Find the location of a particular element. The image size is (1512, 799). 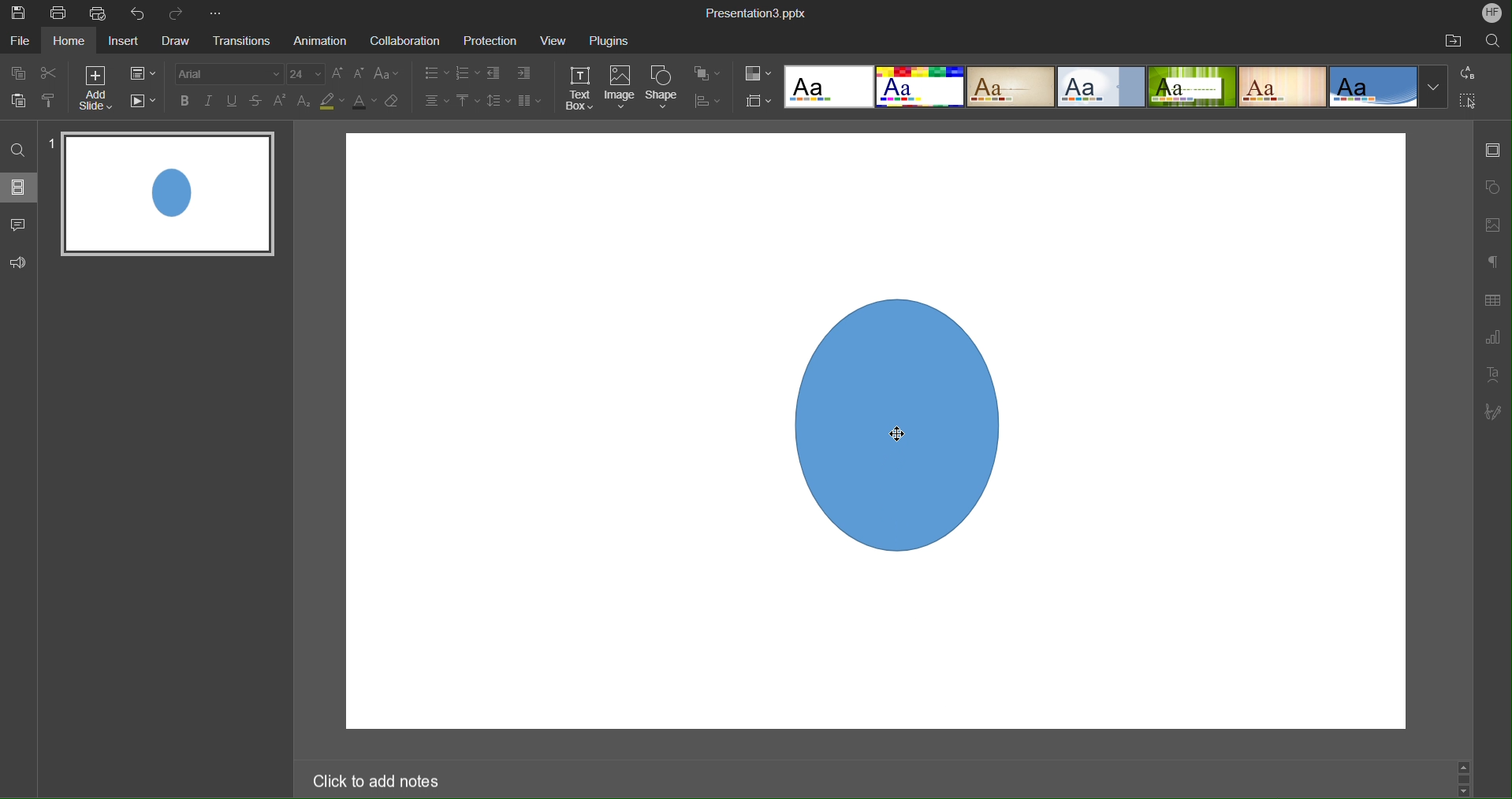

Home is located at coordinates (70, 41).